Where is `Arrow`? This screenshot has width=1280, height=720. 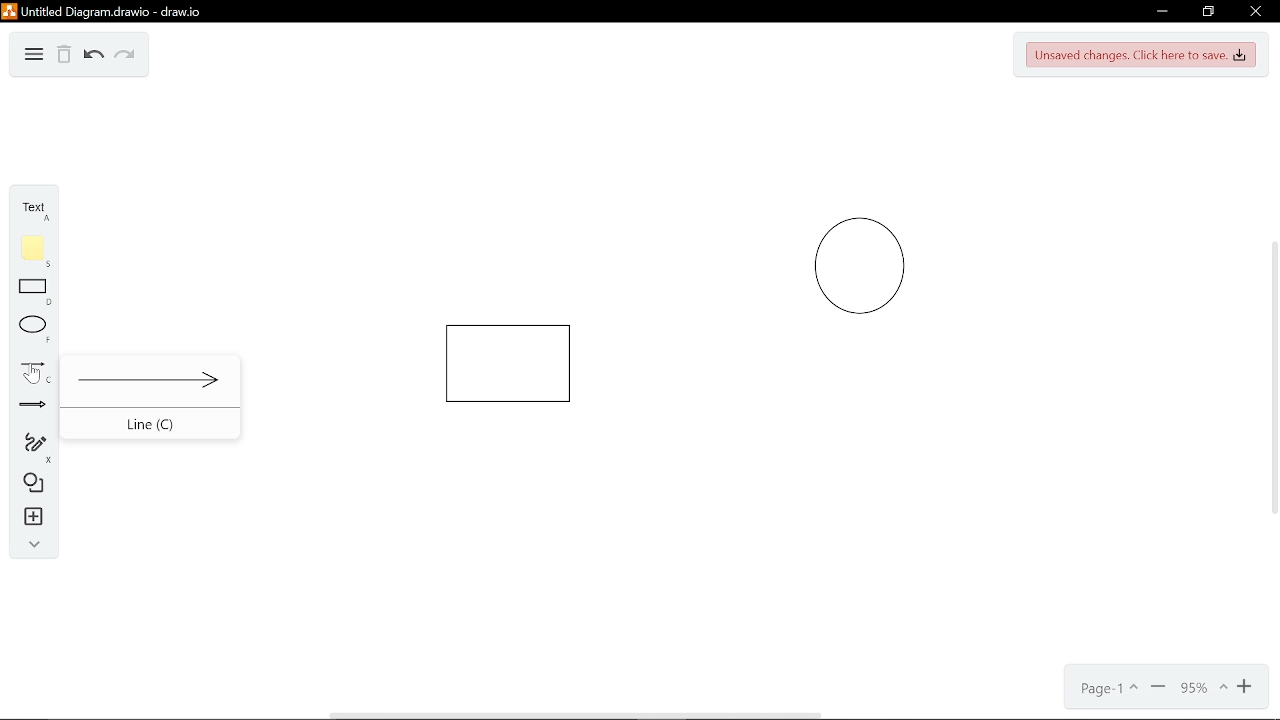
Arrow is located at coordinates (28, 407).